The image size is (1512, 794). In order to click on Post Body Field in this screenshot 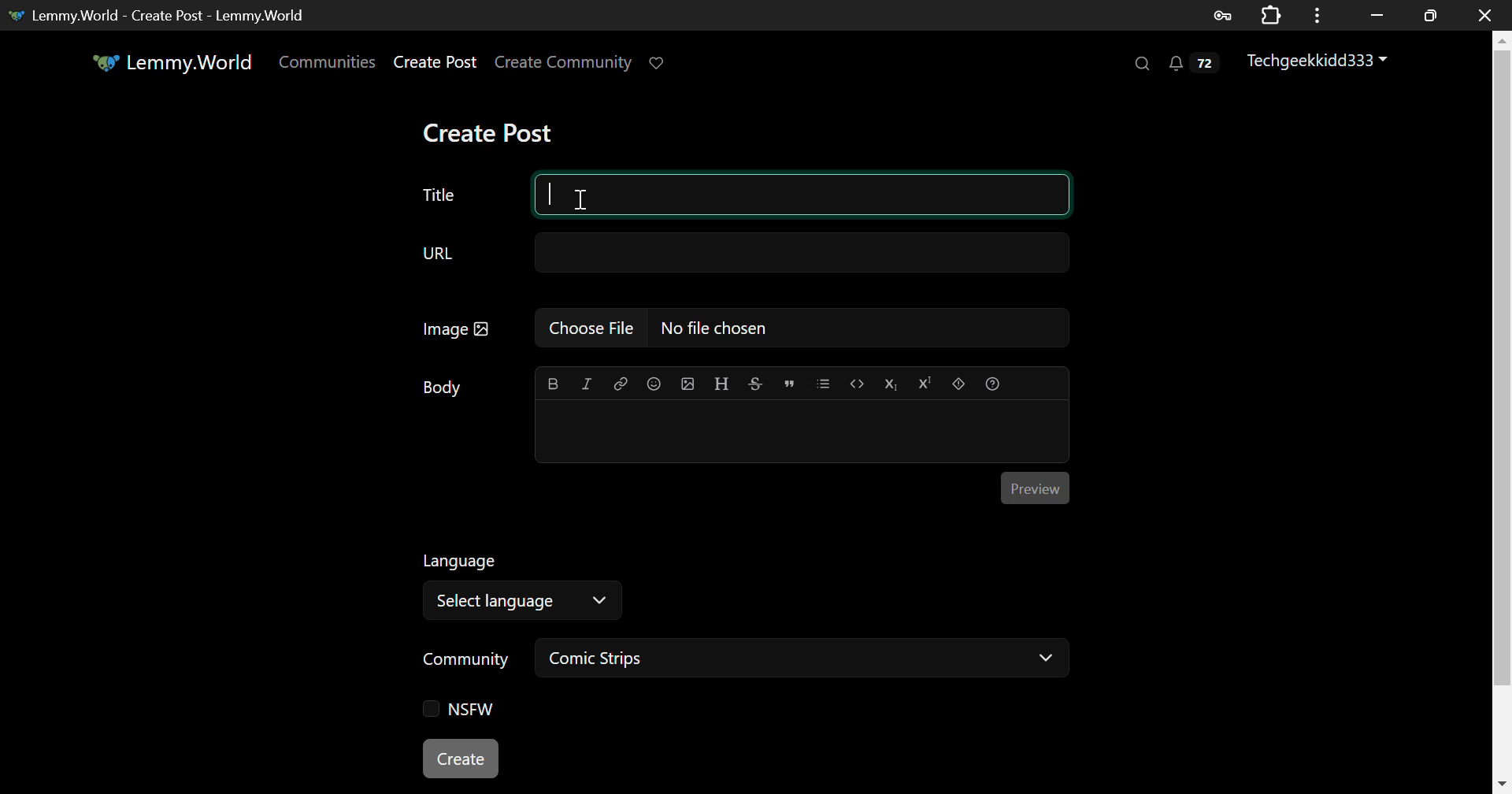, I will do `click(802, 432)`.